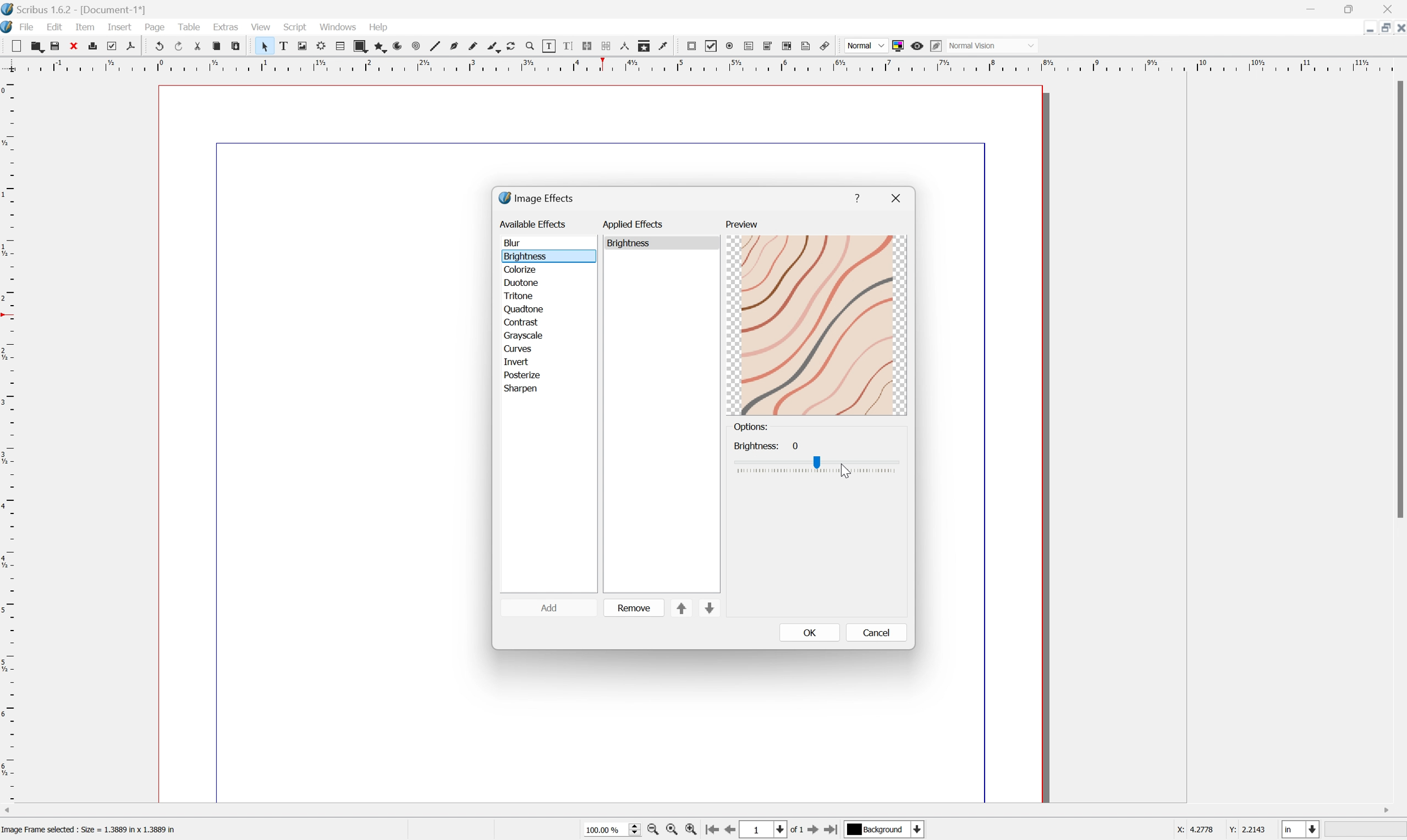 Image resolution: width=1407 pixels, height=840 pixels. What do you see at coordinates (261, 27) in the screenshot?
I see `View` at bounding box center [261, 27].